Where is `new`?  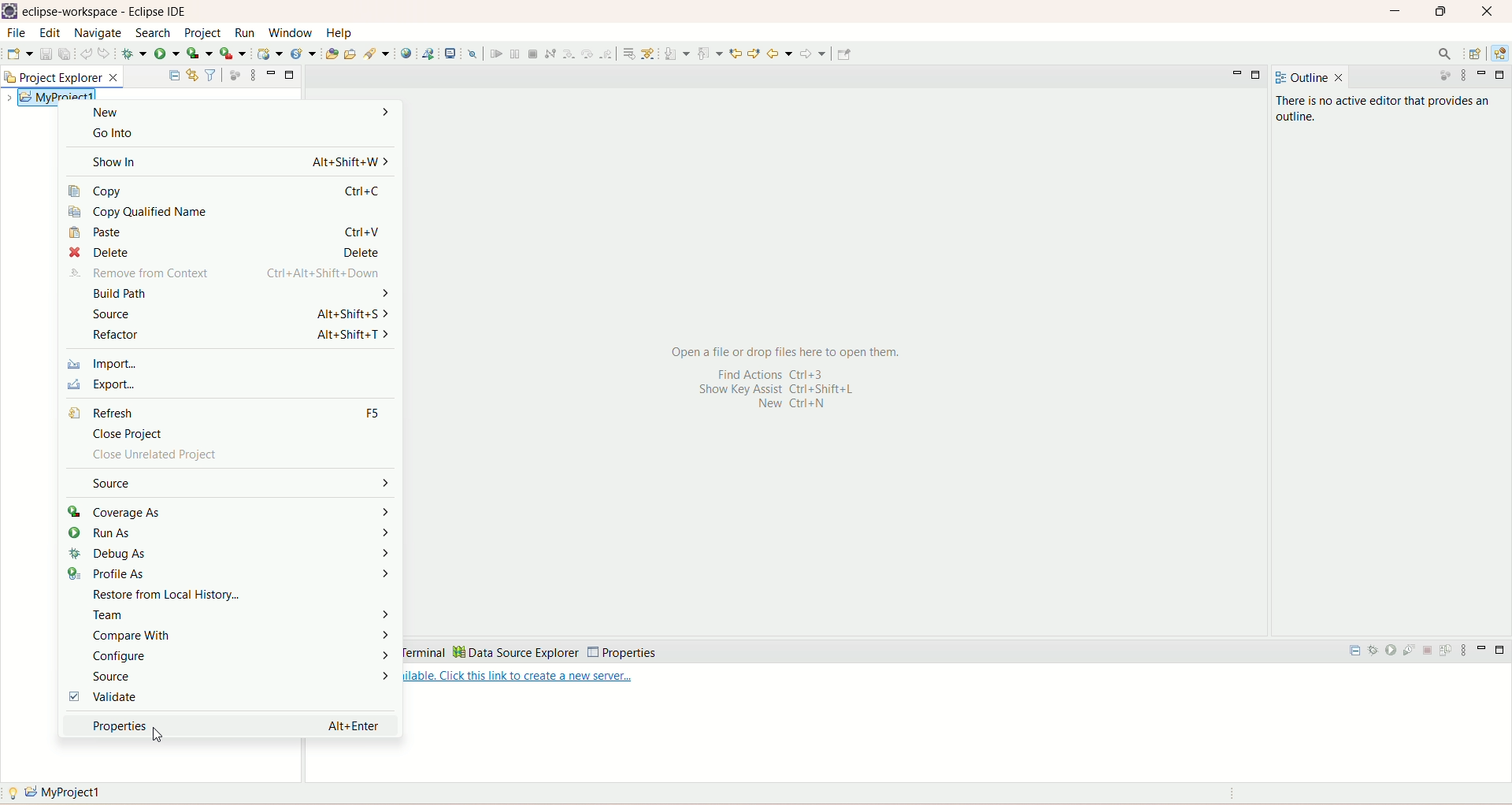 new is located at coordinates (229, 113).